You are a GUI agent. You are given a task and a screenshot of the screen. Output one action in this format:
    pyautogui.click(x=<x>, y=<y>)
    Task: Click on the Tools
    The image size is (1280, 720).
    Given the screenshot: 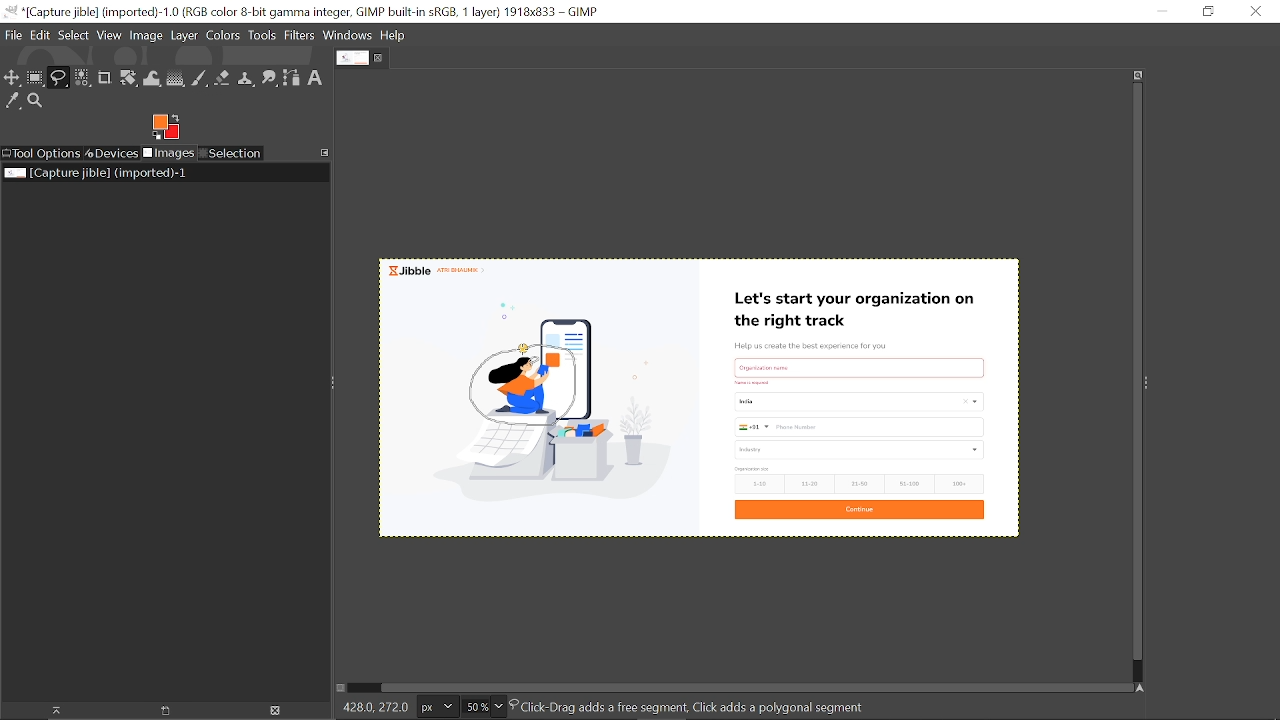 What is the action you would take?
    pyautogui.click(x=262, y=36)
    